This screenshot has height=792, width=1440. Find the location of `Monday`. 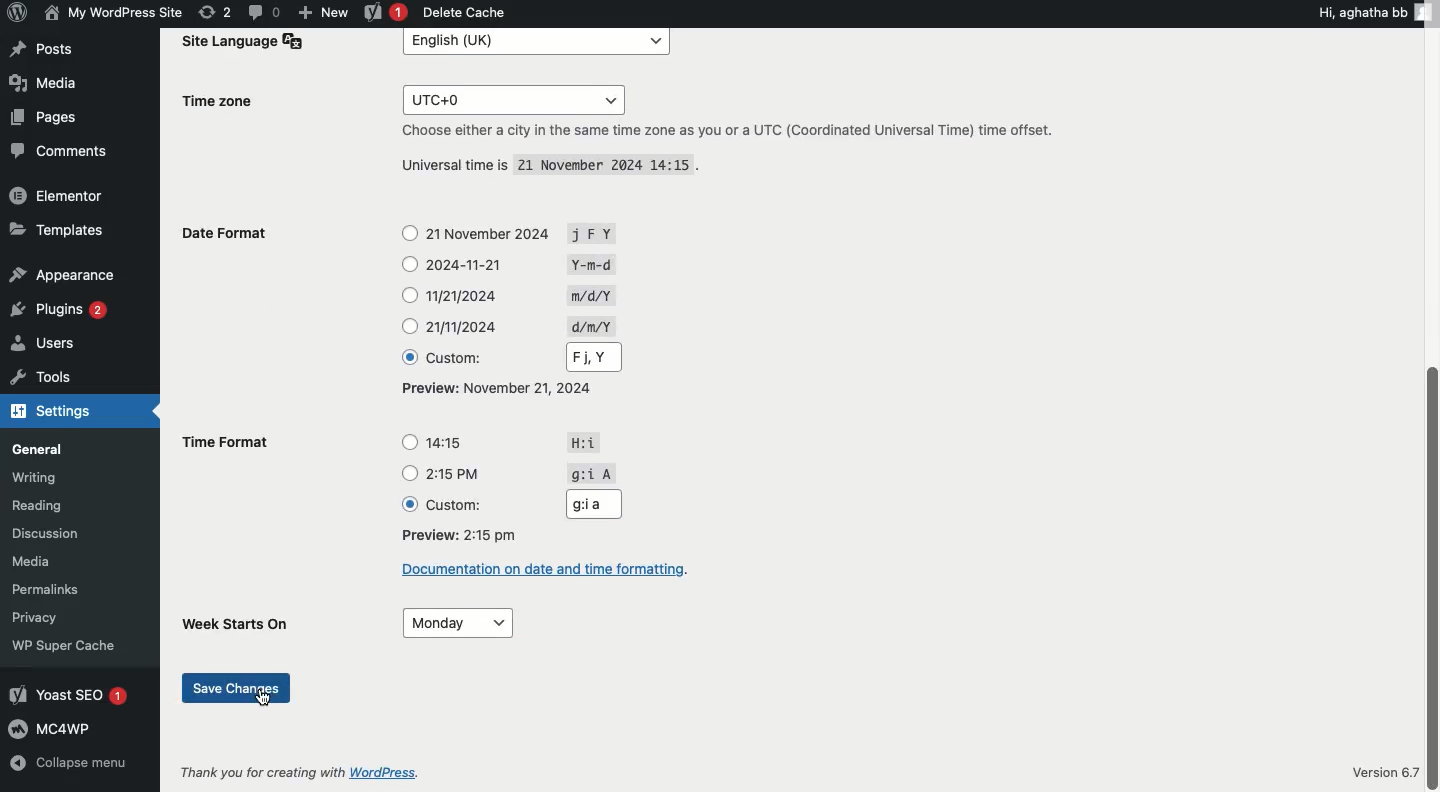

Monday is located at coordinates (460, 622).